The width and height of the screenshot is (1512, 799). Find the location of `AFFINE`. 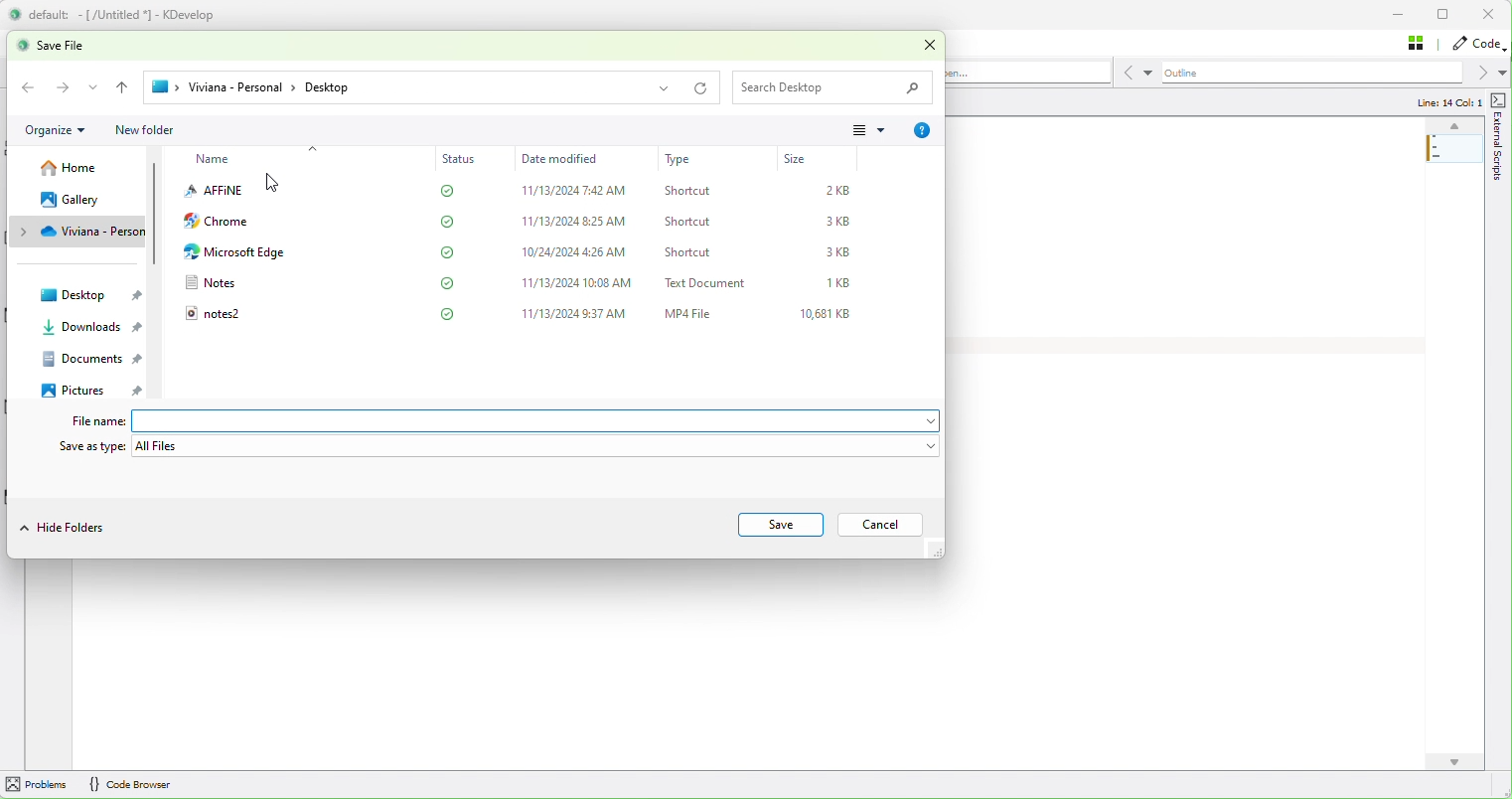

AFFINE is located at coordinates (213, 190).